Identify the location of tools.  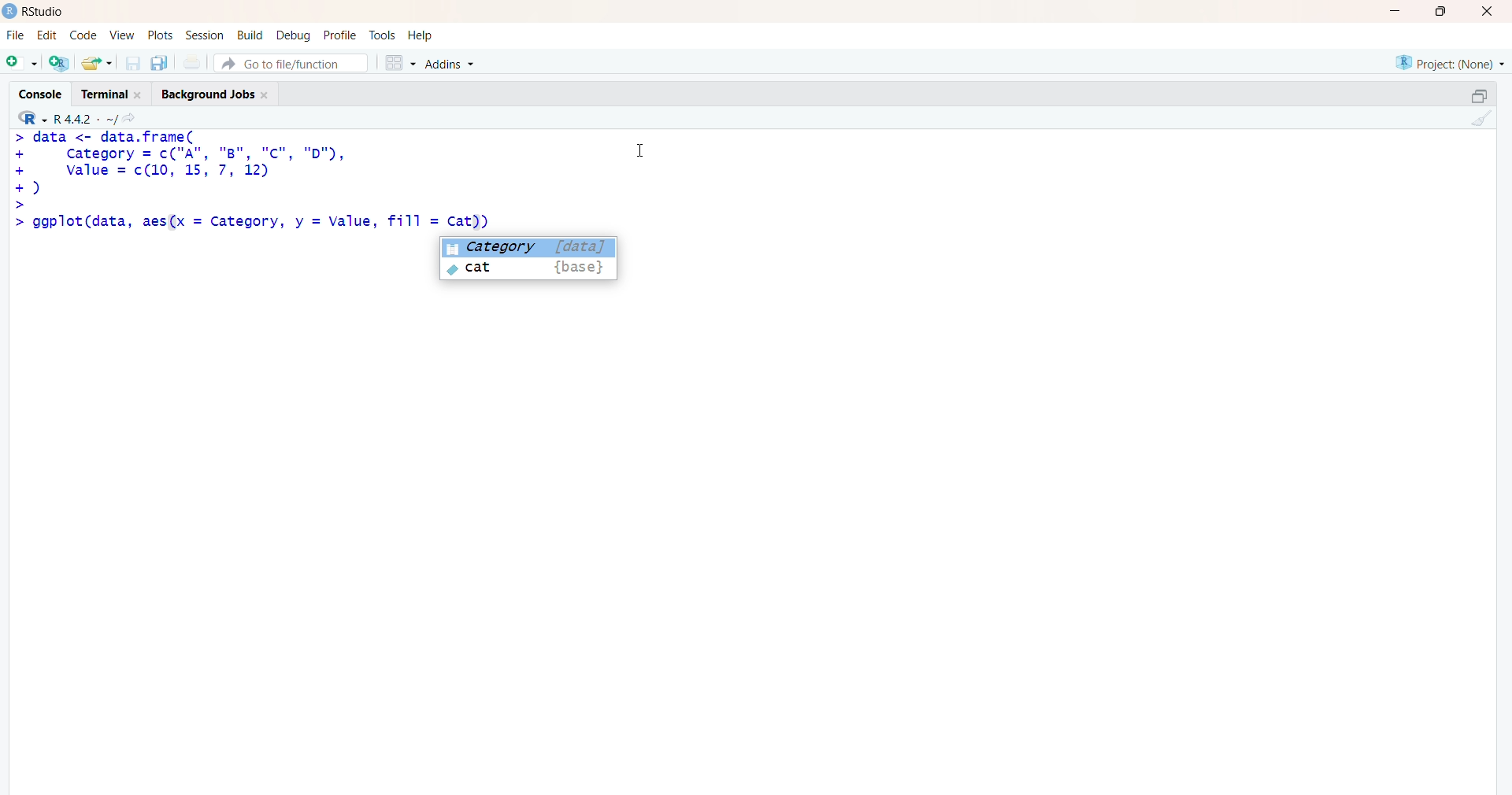
(384, 35).